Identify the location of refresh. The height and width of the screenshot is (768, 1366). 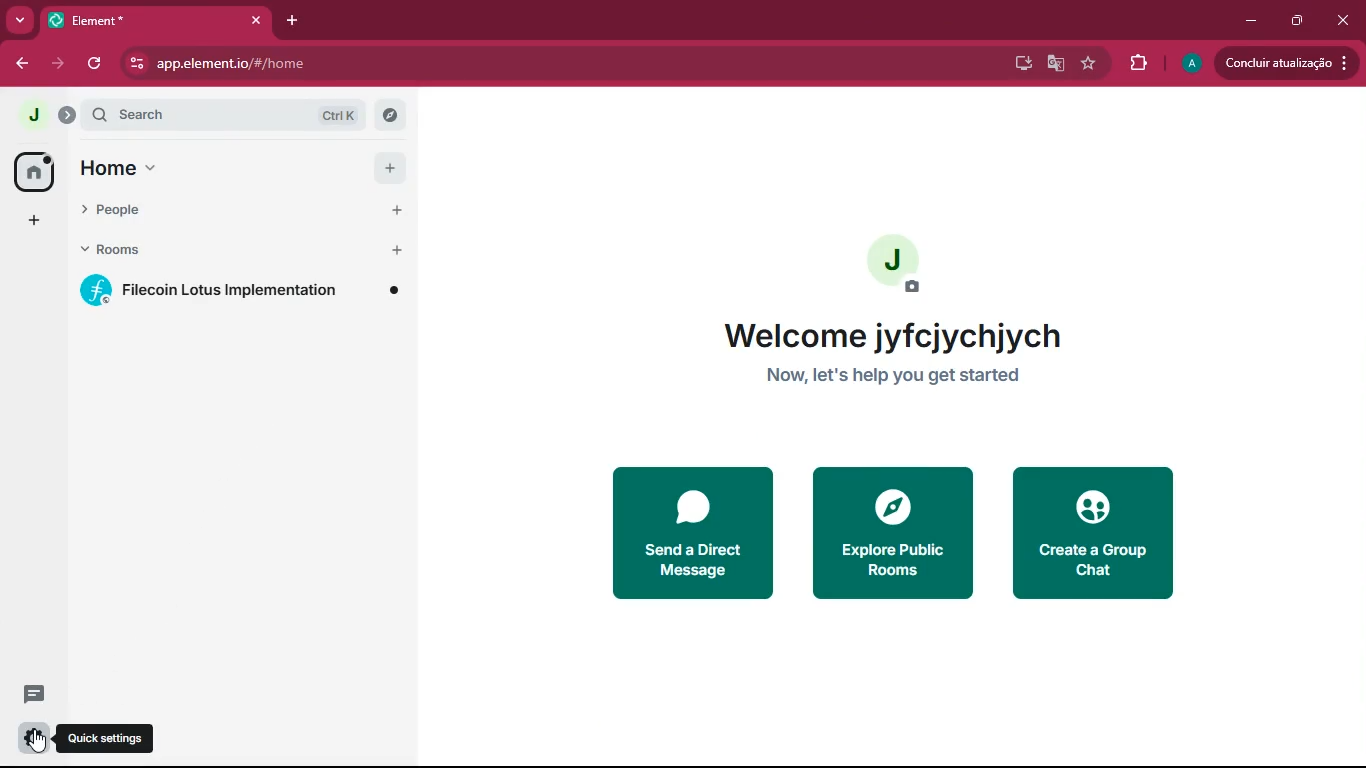
(97, 66).